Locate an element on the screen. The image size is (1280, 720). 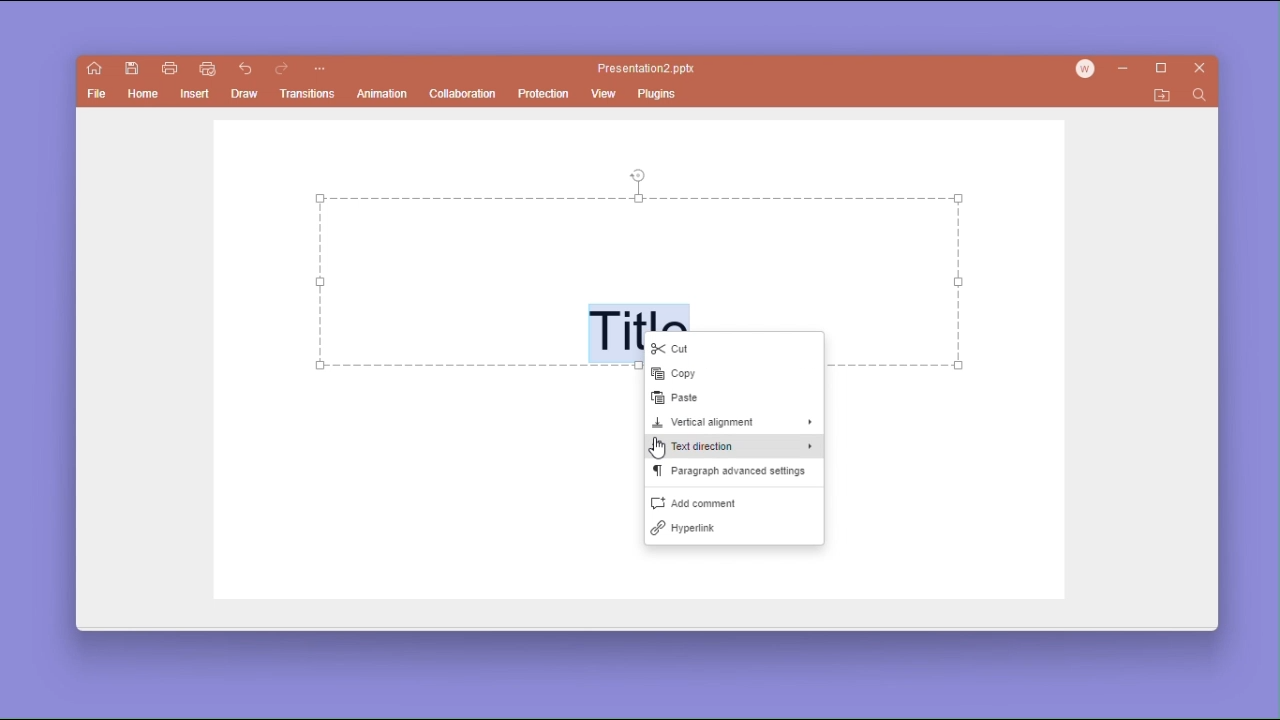
go forward is located at coordinates (282, 70).